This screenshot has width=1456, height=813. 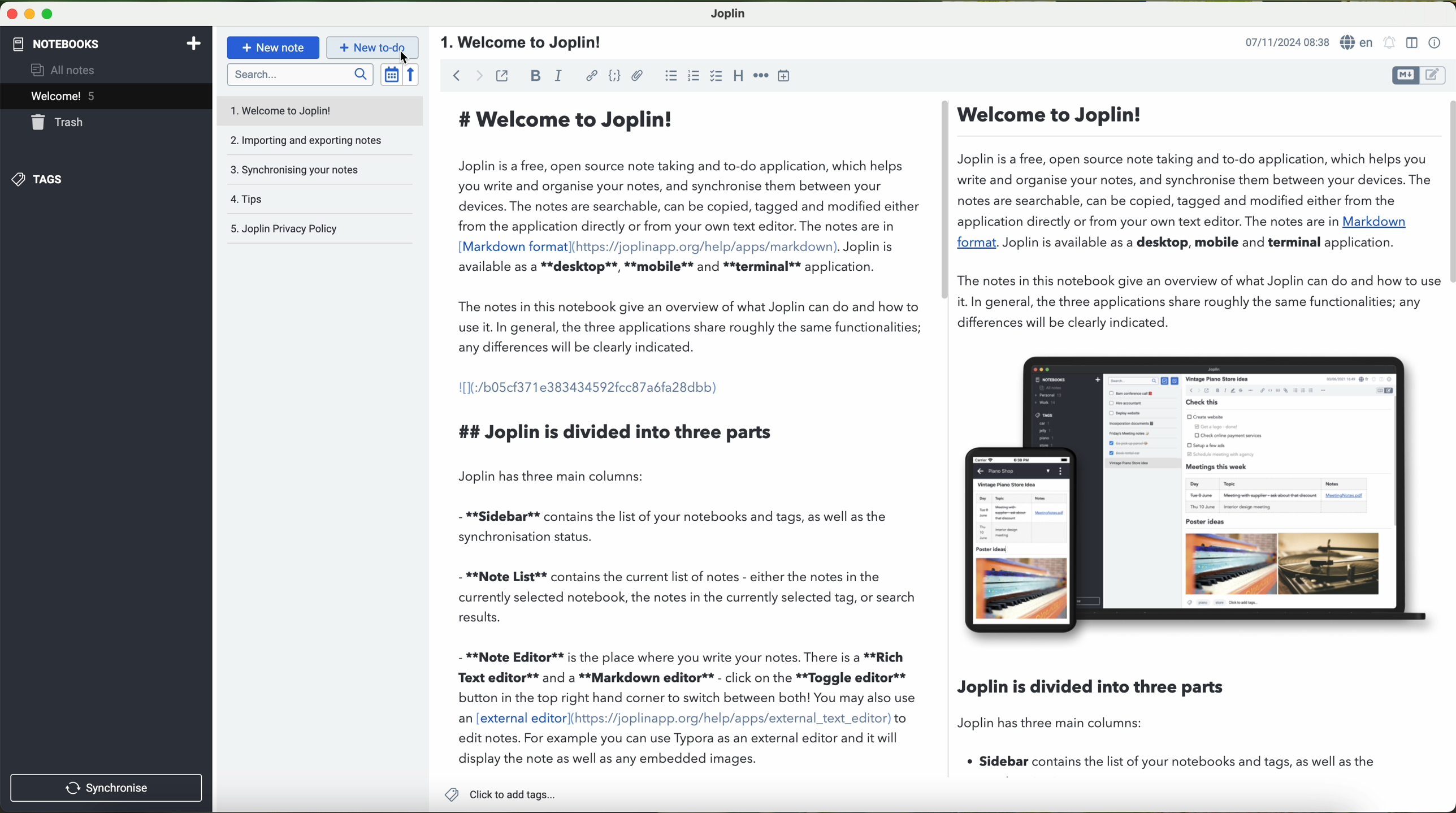 What do you see at coordinates (557, 76) in the screenshot?
I see `italic` at bounding box center [557, 76].